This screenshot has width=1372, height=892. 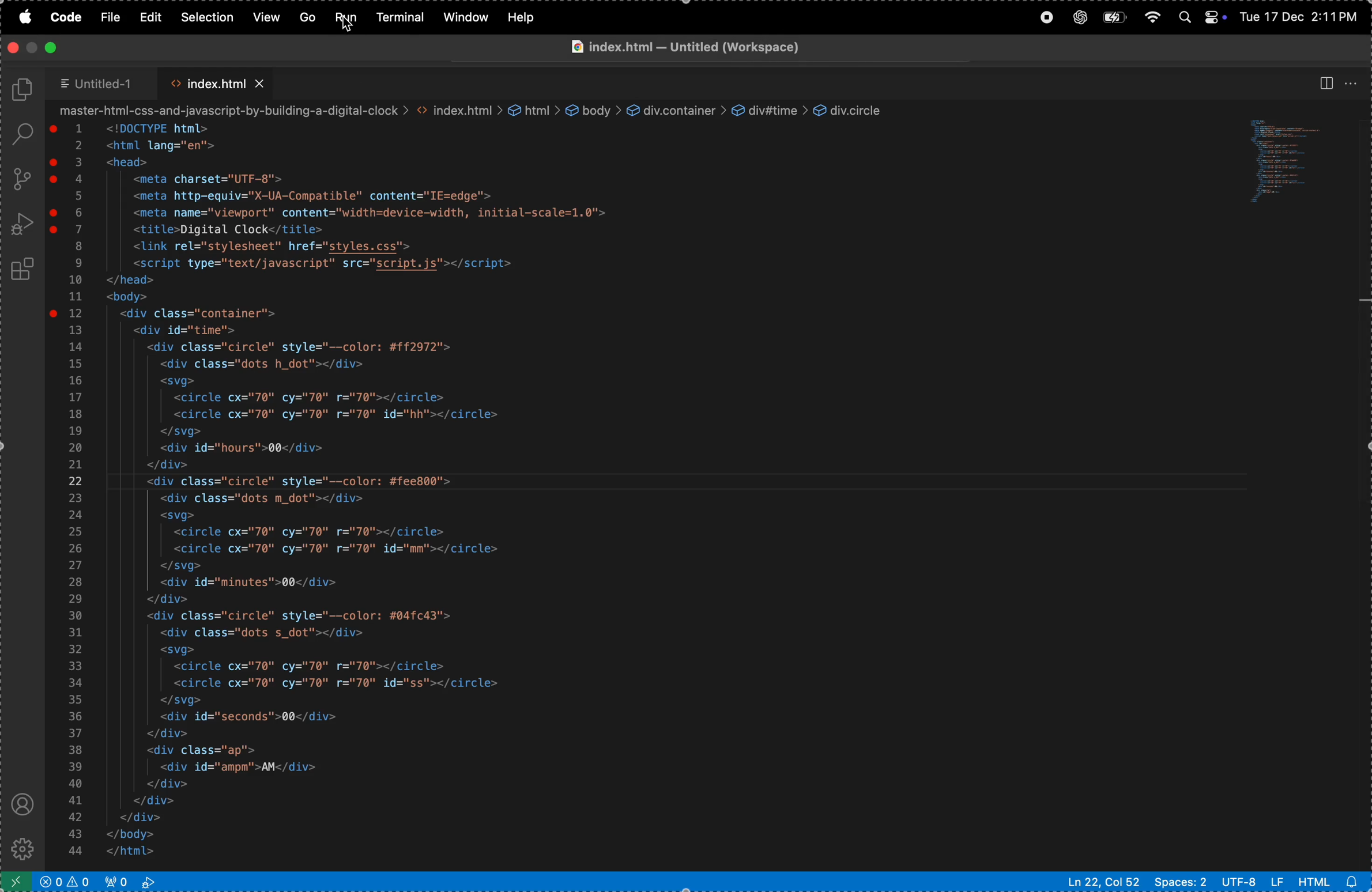 I want to click on code block written in html for a web page, so click(x=467, y=483).